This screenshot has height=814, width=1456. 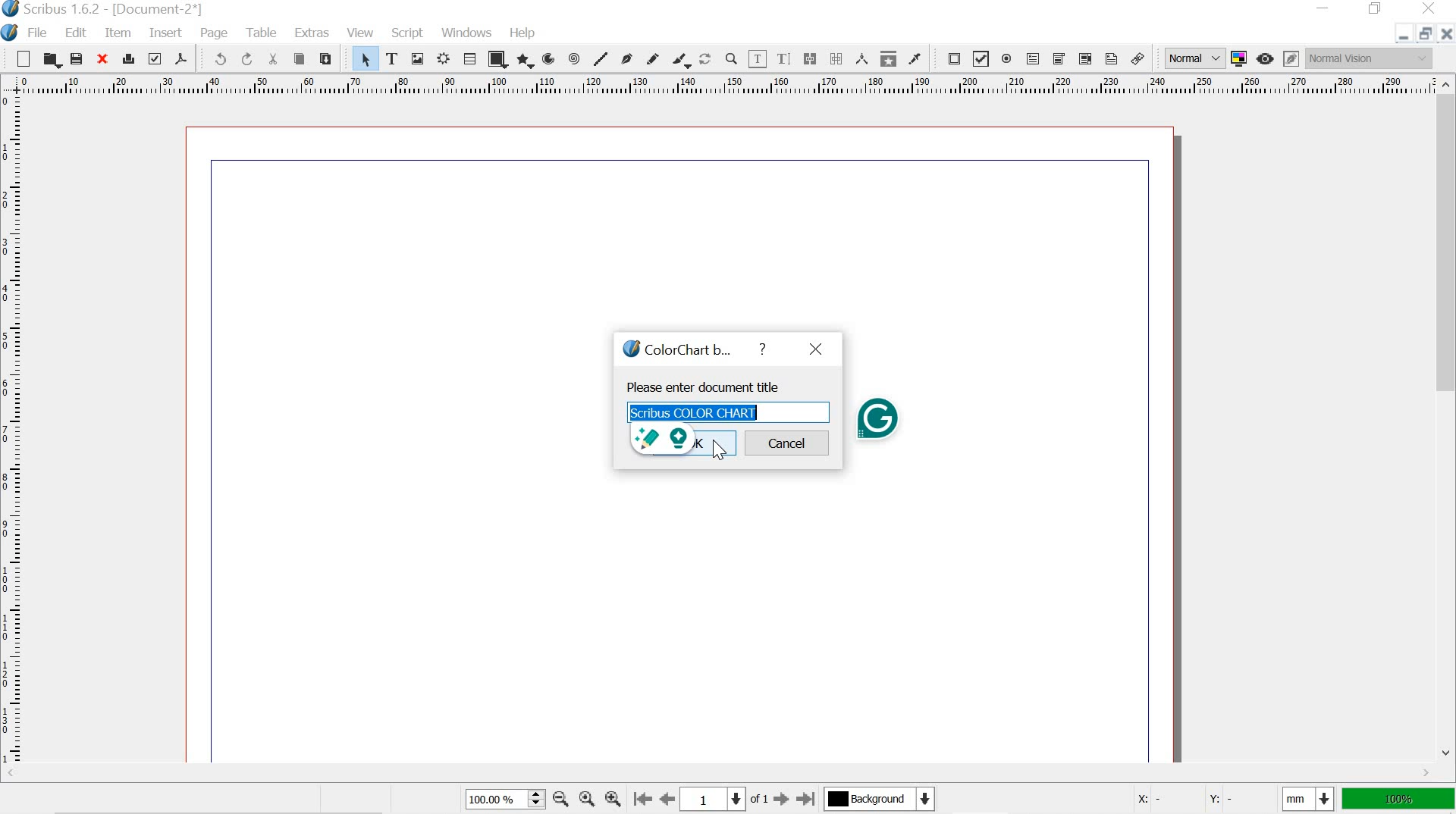 I want to click on link annotation, so click(x=1140, y=59).